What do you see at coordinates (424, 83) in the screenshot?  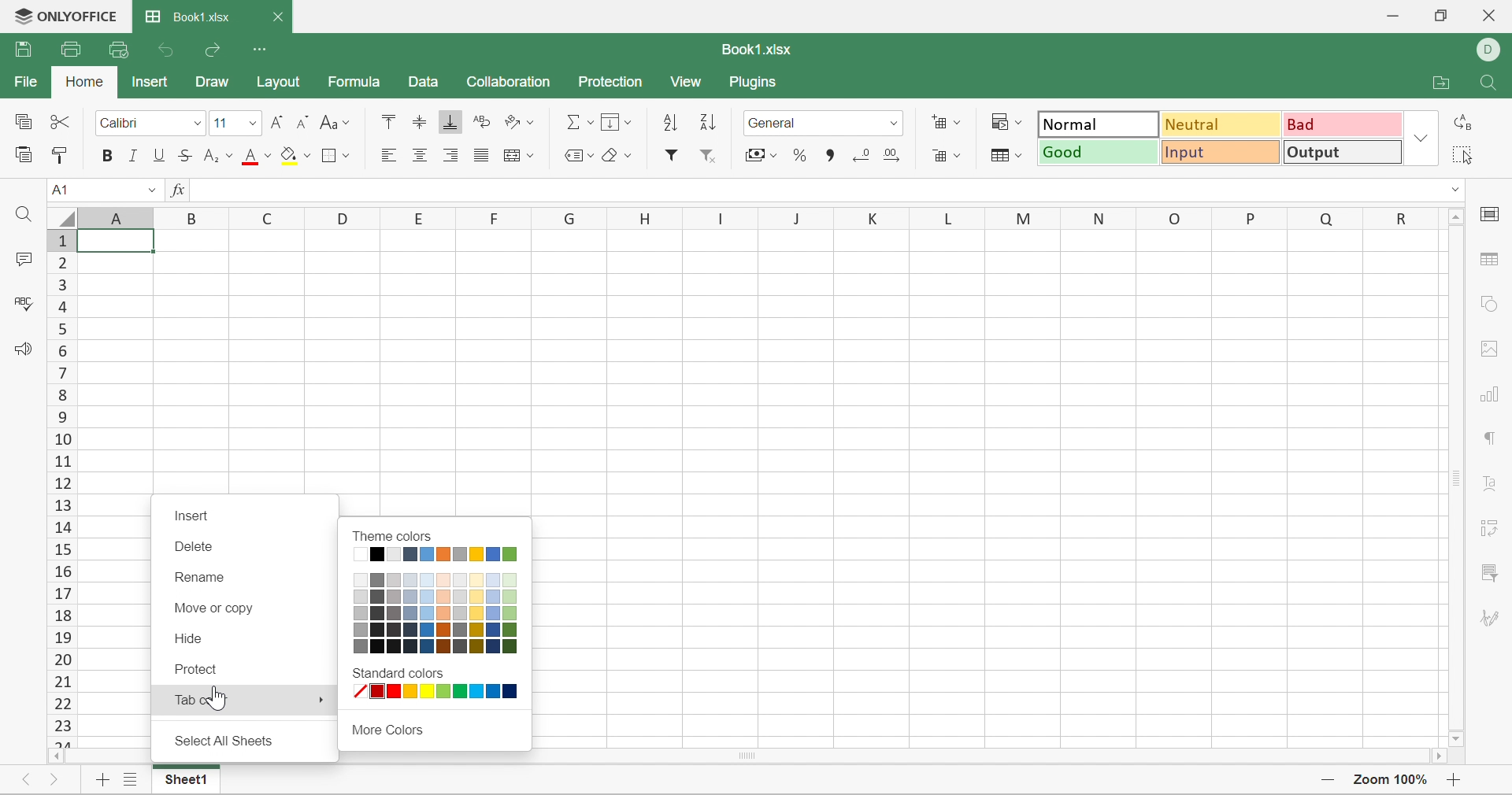 I see `Data` at bounding box center [424, 83].